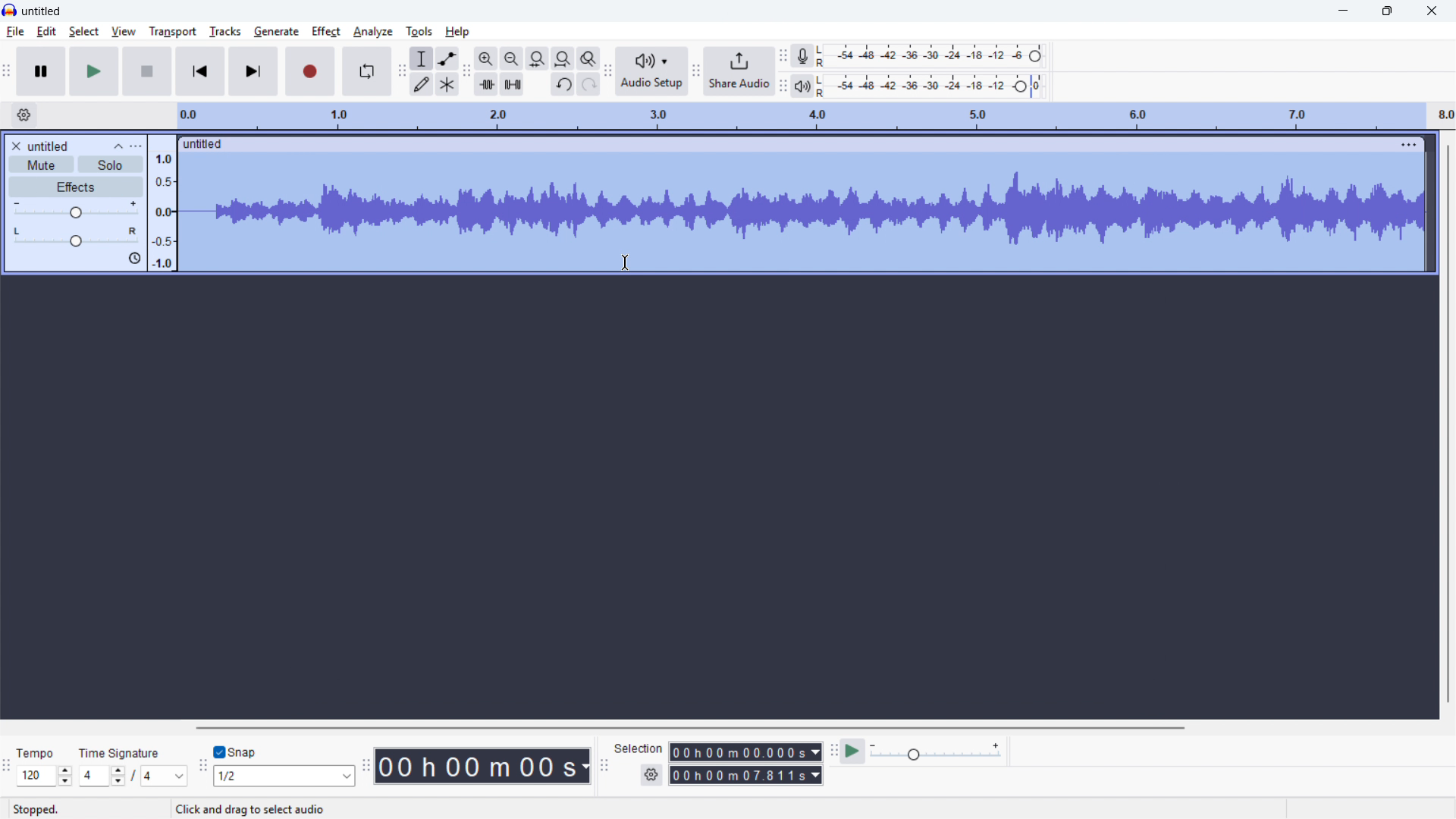  Describe the element at coordinates (1430, 11) in the screenshot. I see `close ` at that location.